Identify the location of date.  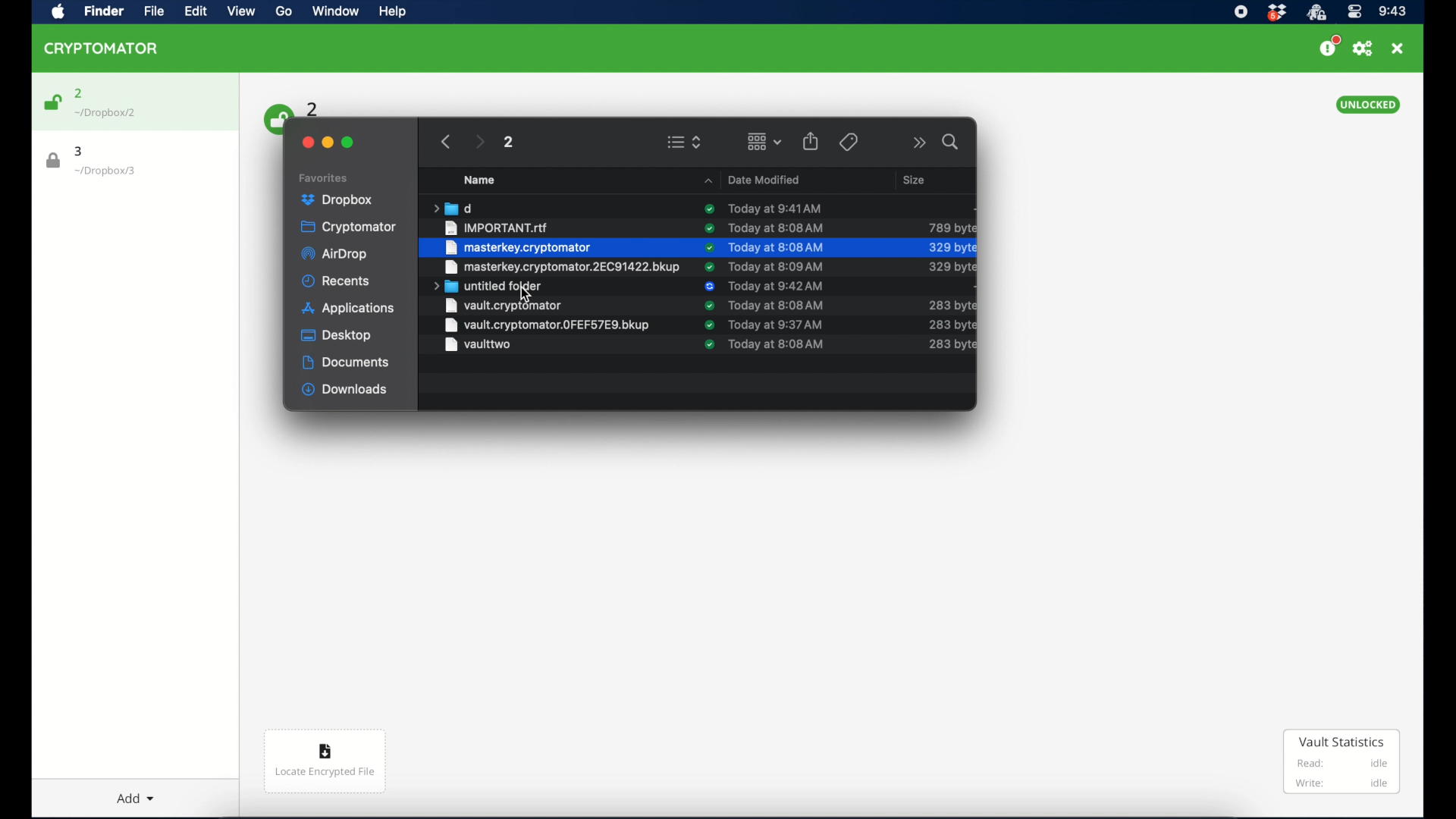
(776, 325).